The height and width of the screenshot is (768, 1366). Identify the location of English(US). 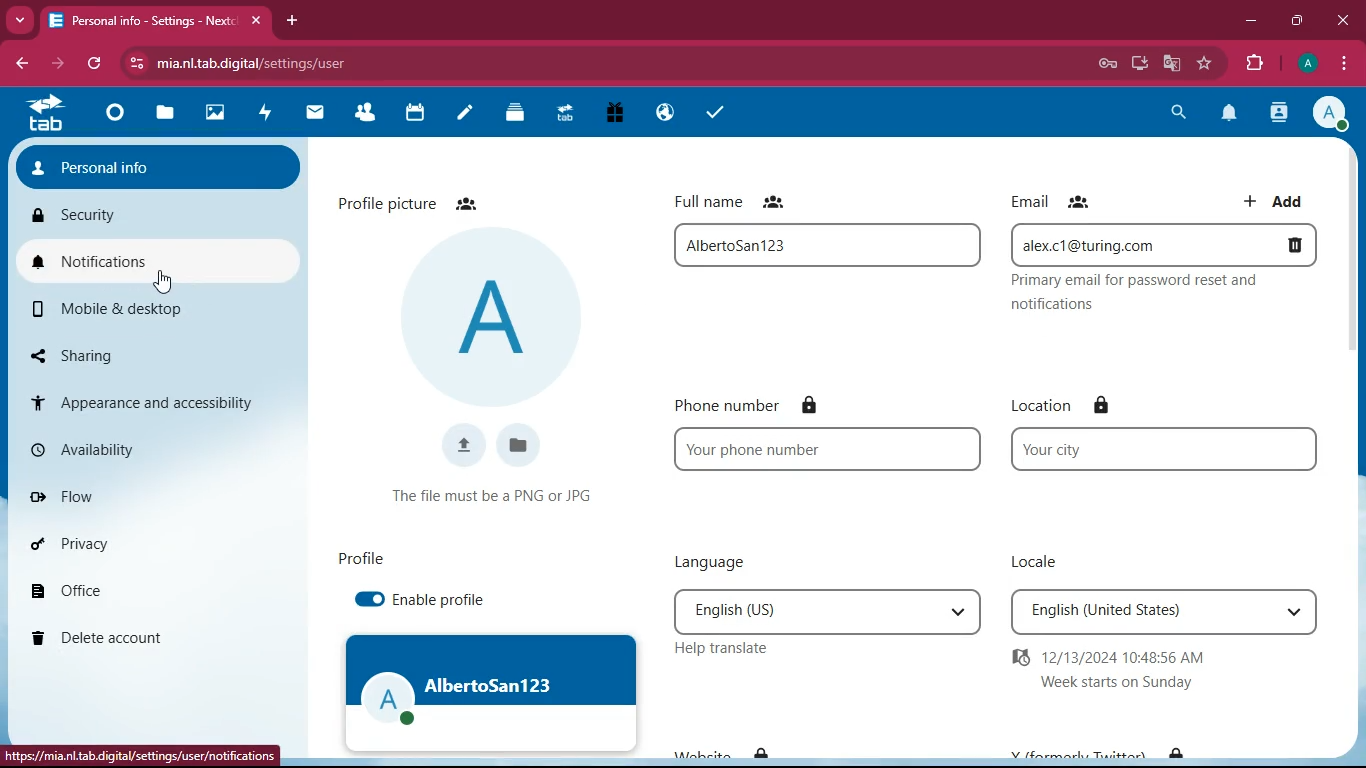
(826, 611).